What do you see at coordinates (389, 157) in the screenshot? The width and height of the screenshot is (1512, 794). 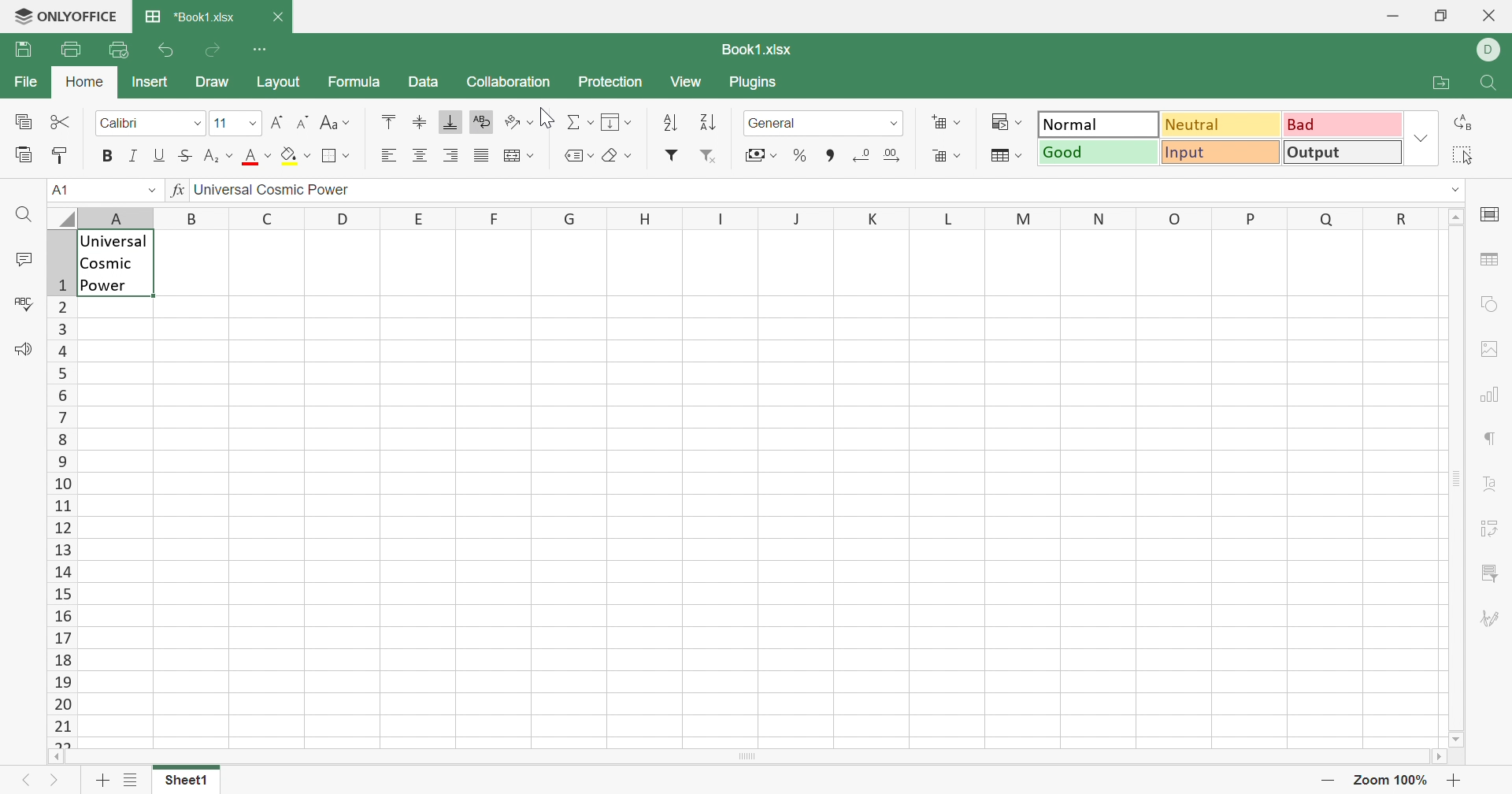 I see `Align Right` at bounding box center [389, 157].